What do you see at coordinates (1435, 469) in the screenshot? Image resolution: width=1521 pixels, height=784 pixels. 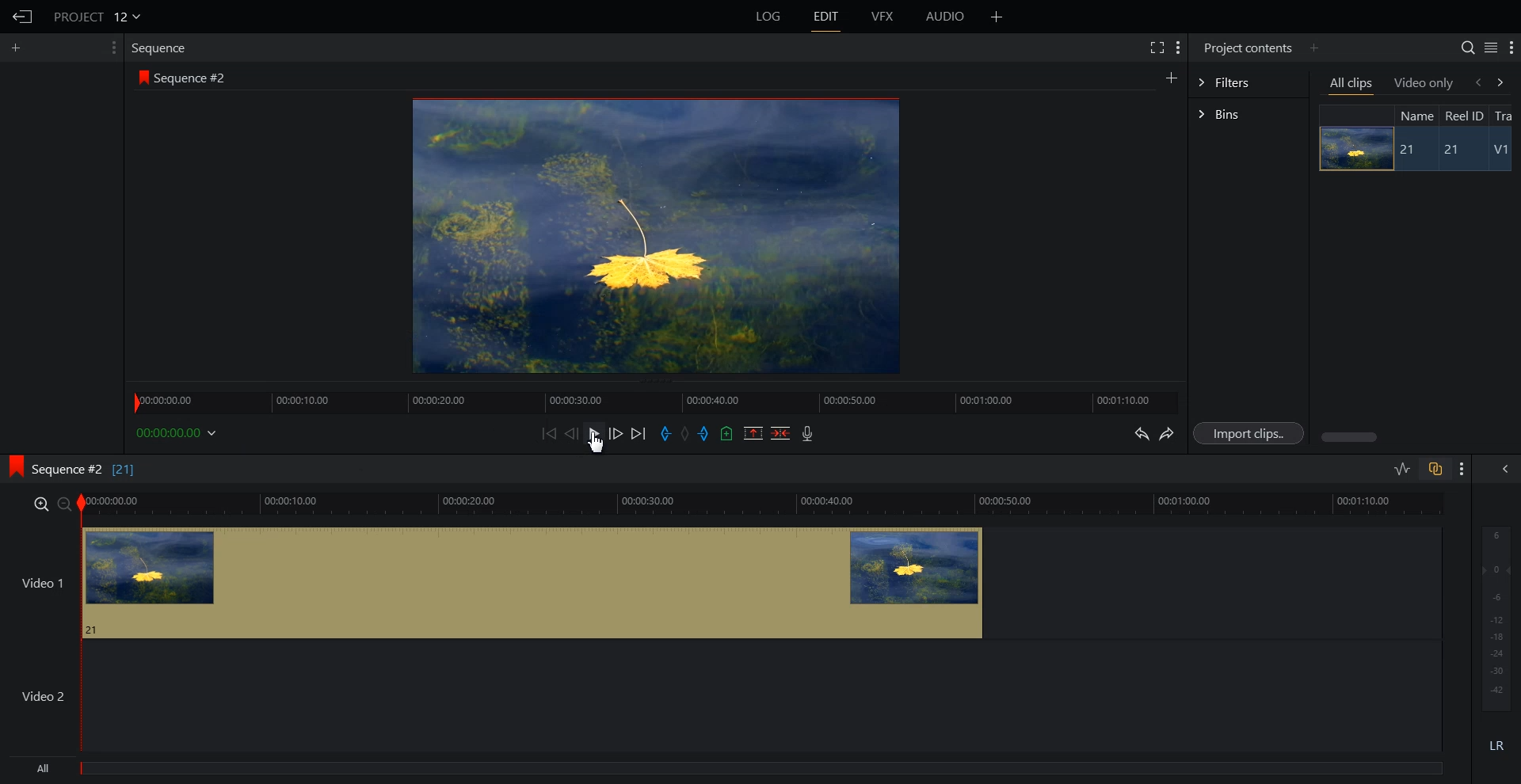 I see `Toggle auto Track sync` at bounding box center [1435, 469].